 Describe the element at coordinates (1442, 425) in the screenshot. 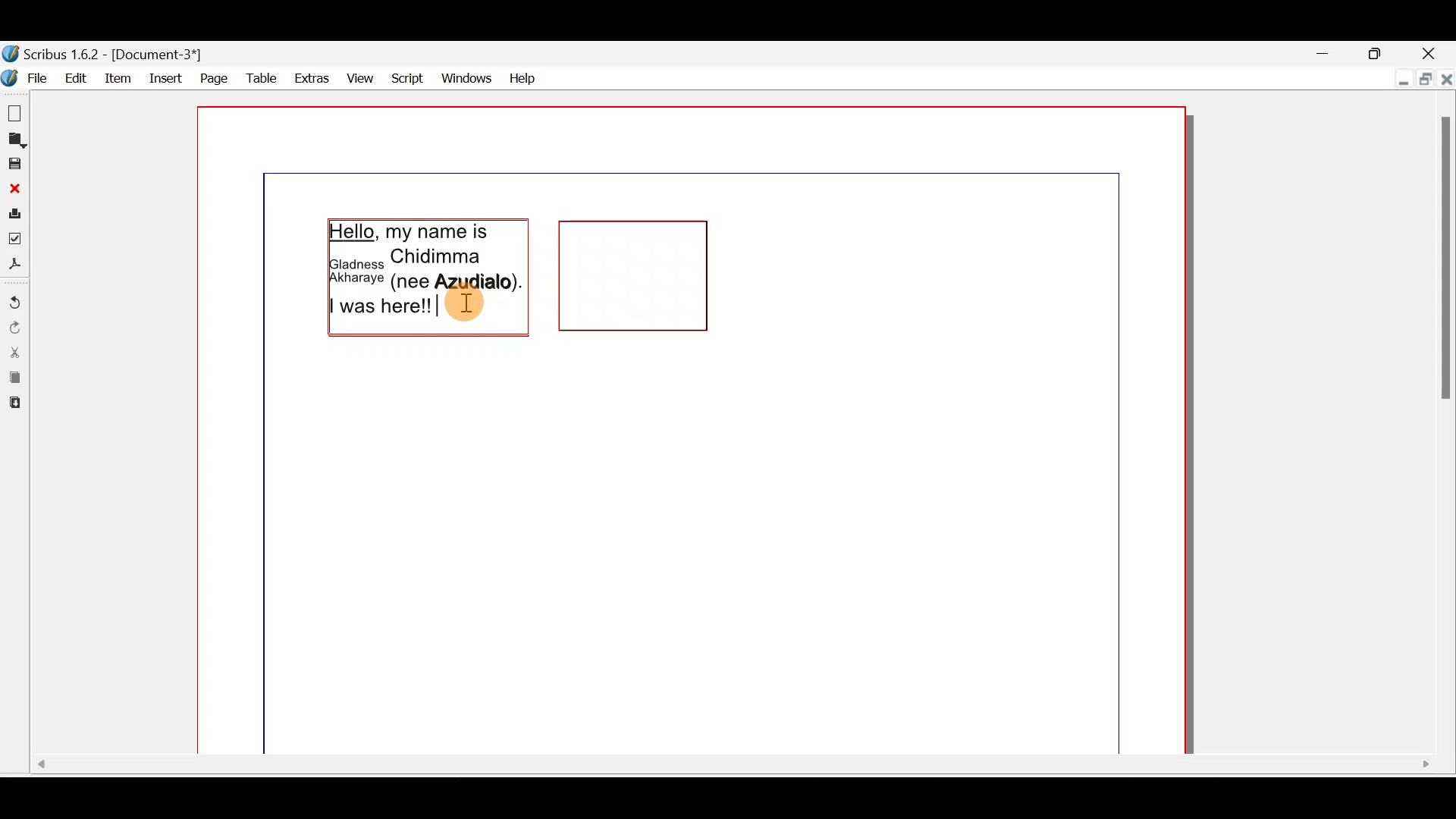

I see `Scroll bar` at that location.